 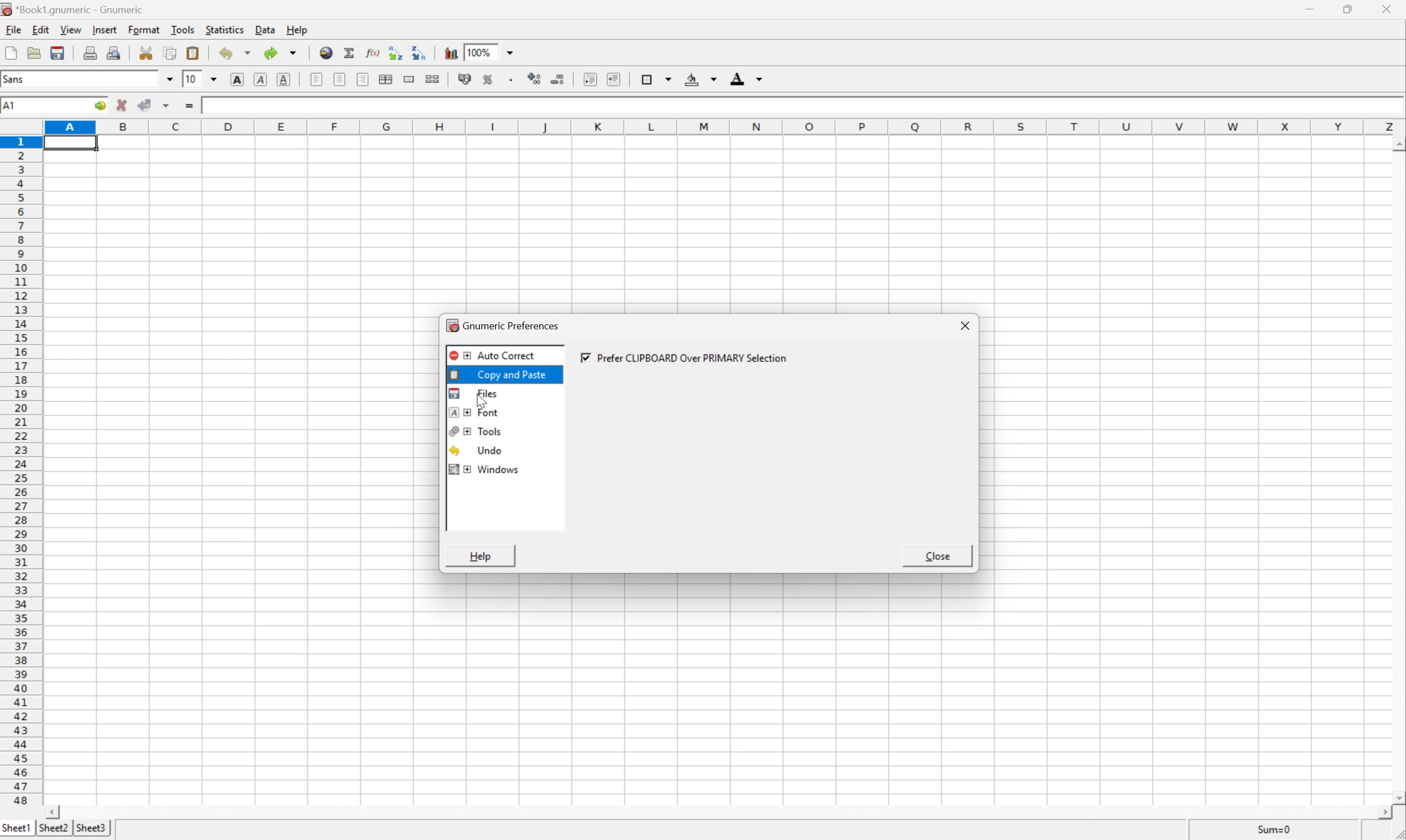 I want to click on edit function in current cell, so click(x=374, y=52).